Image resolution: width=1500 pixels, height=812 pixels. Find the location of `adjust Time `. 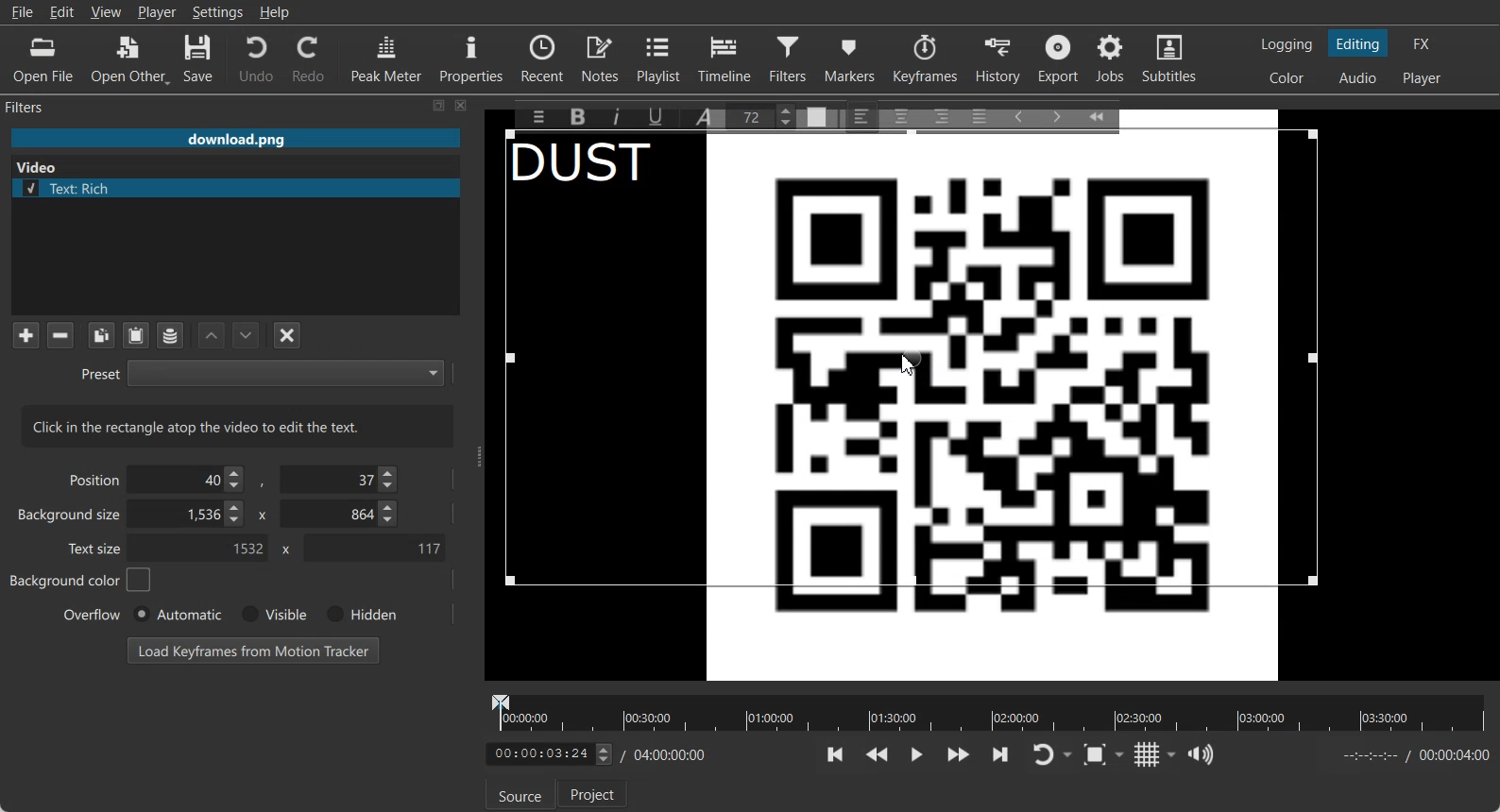

adjust Time  is located at coordinates (548, 755).